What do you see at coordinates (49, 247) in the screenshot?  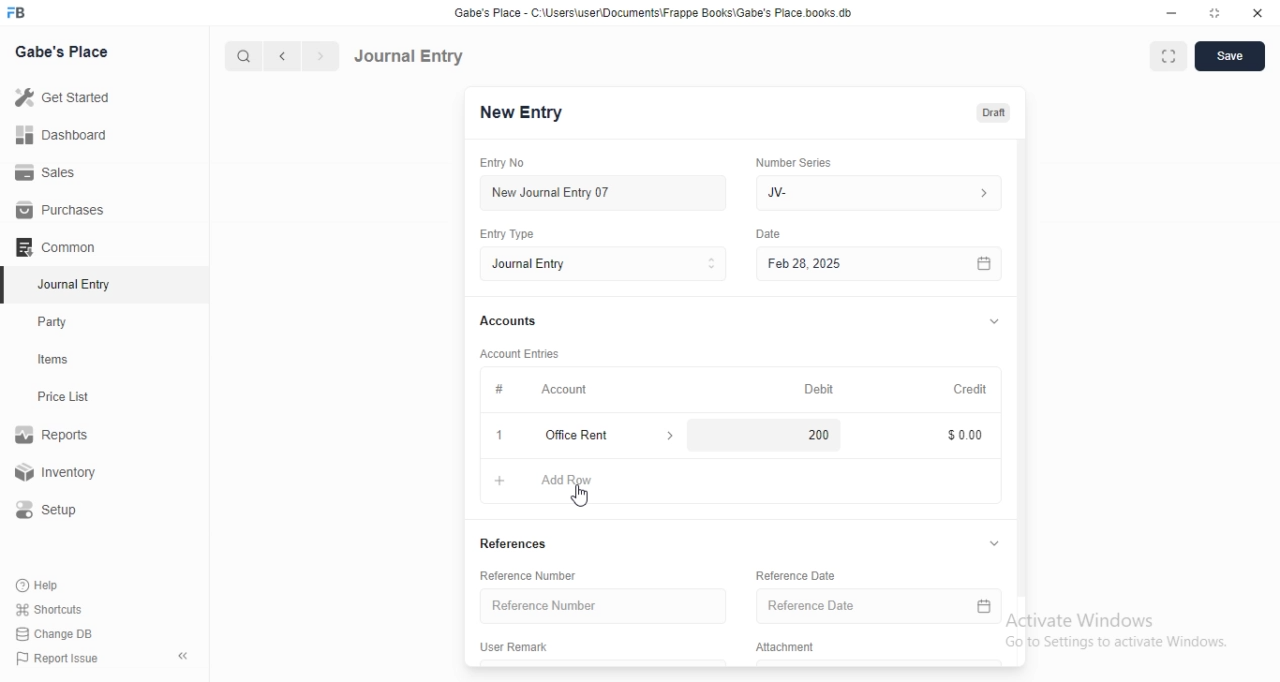 I see `Comman` at bounding box center [49, 247].